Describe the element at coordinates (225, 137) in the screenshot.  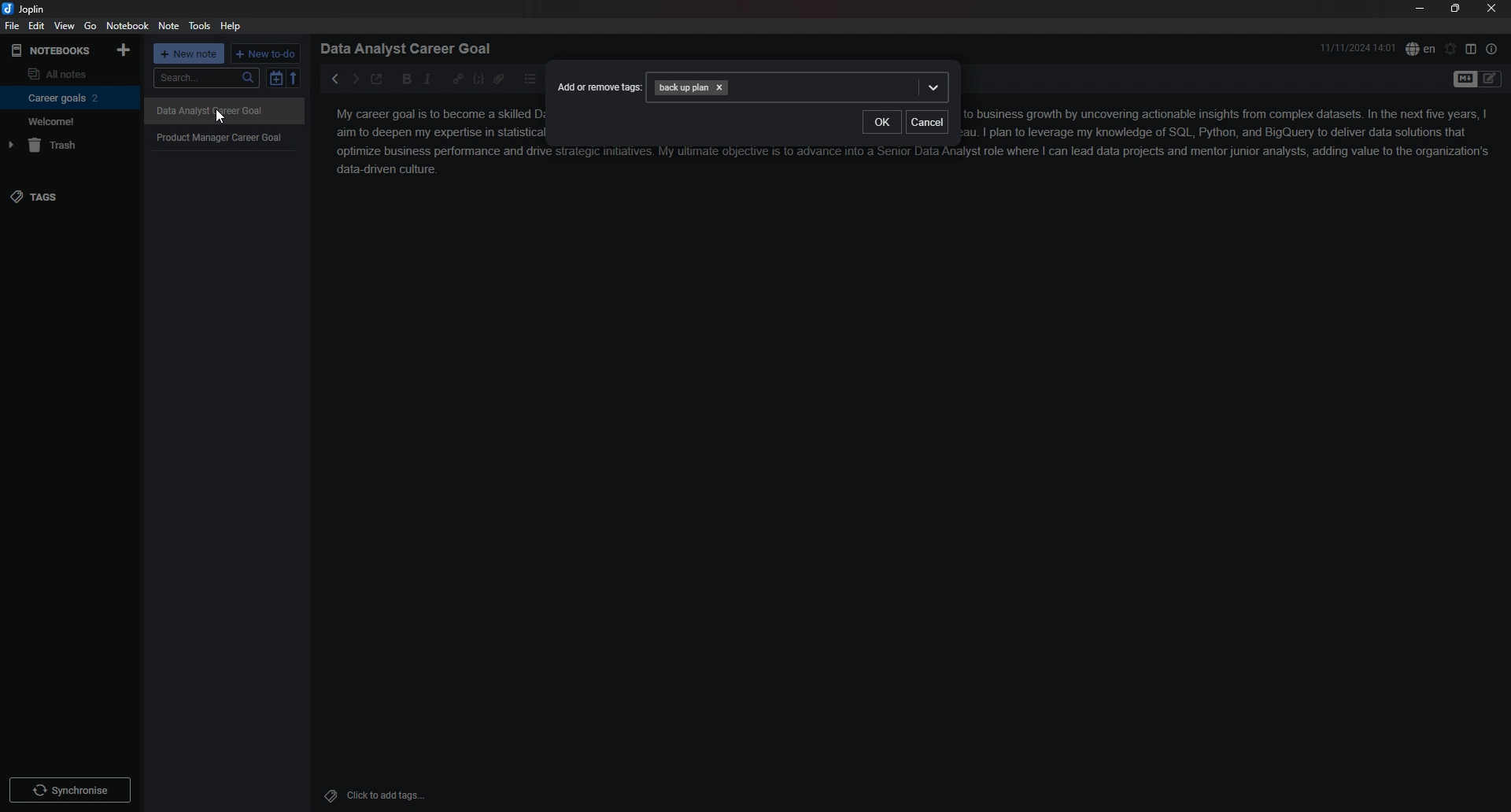
I see `Product Manager Career Goal` at that location.